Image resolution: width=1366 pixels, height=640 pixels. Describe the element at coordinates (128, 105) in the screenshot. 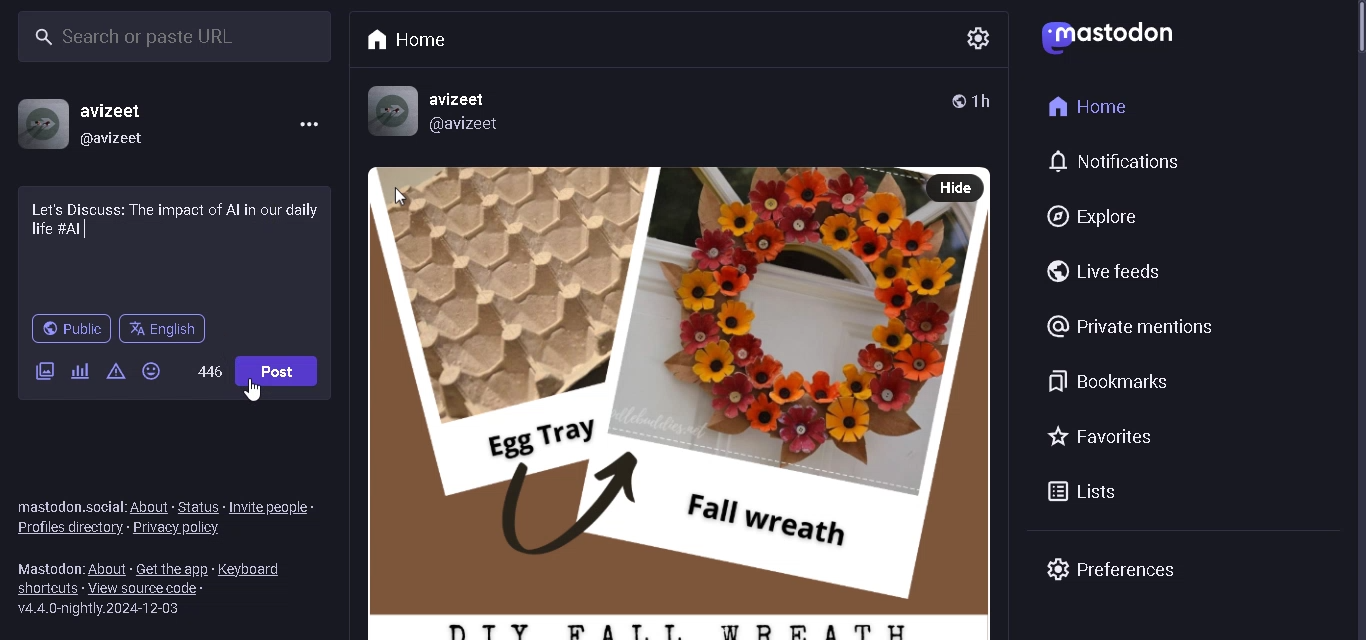

I see `USERNAME` at that location.